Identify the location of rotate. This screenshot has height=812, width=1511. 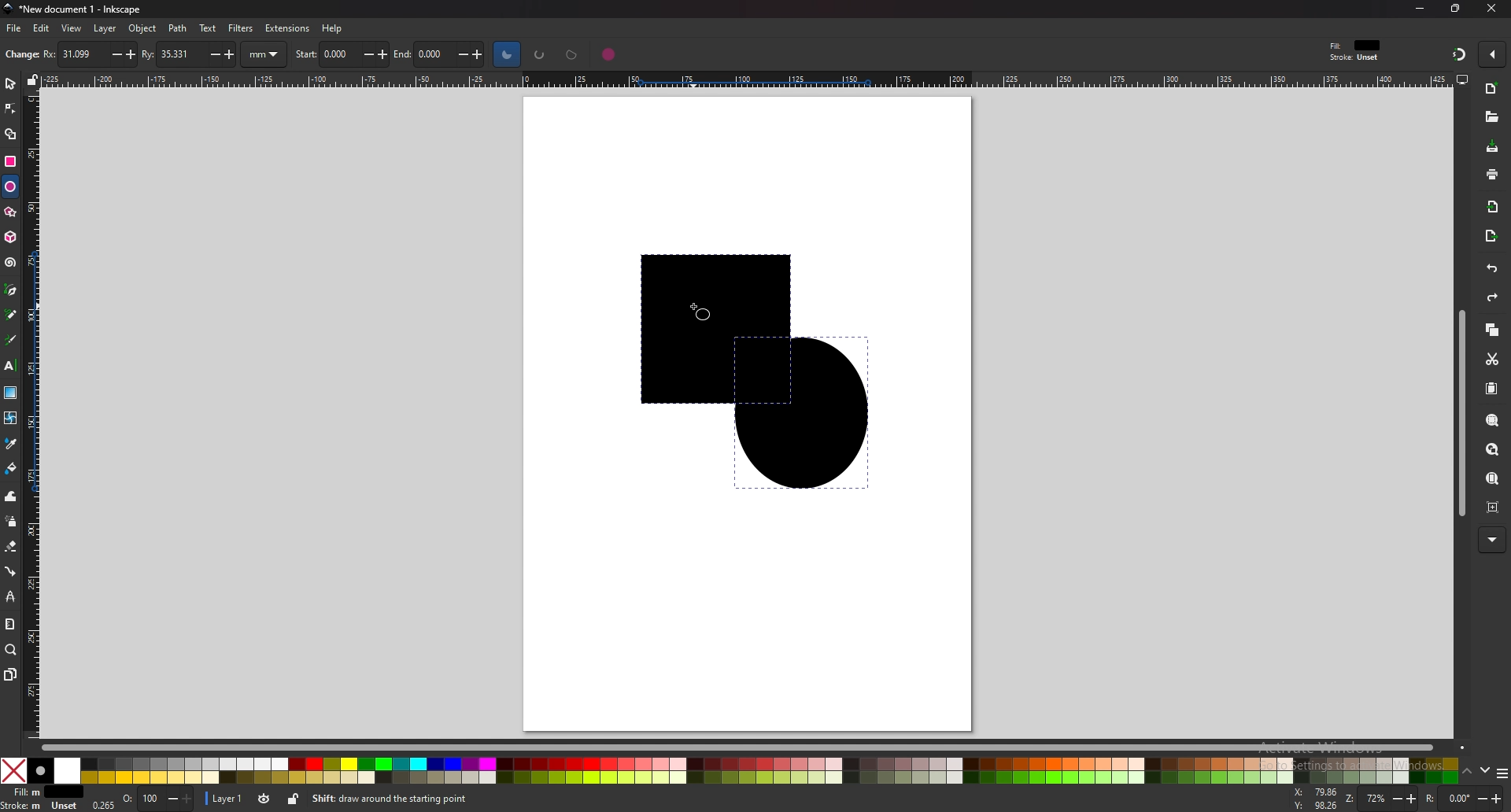
(1463, 799).